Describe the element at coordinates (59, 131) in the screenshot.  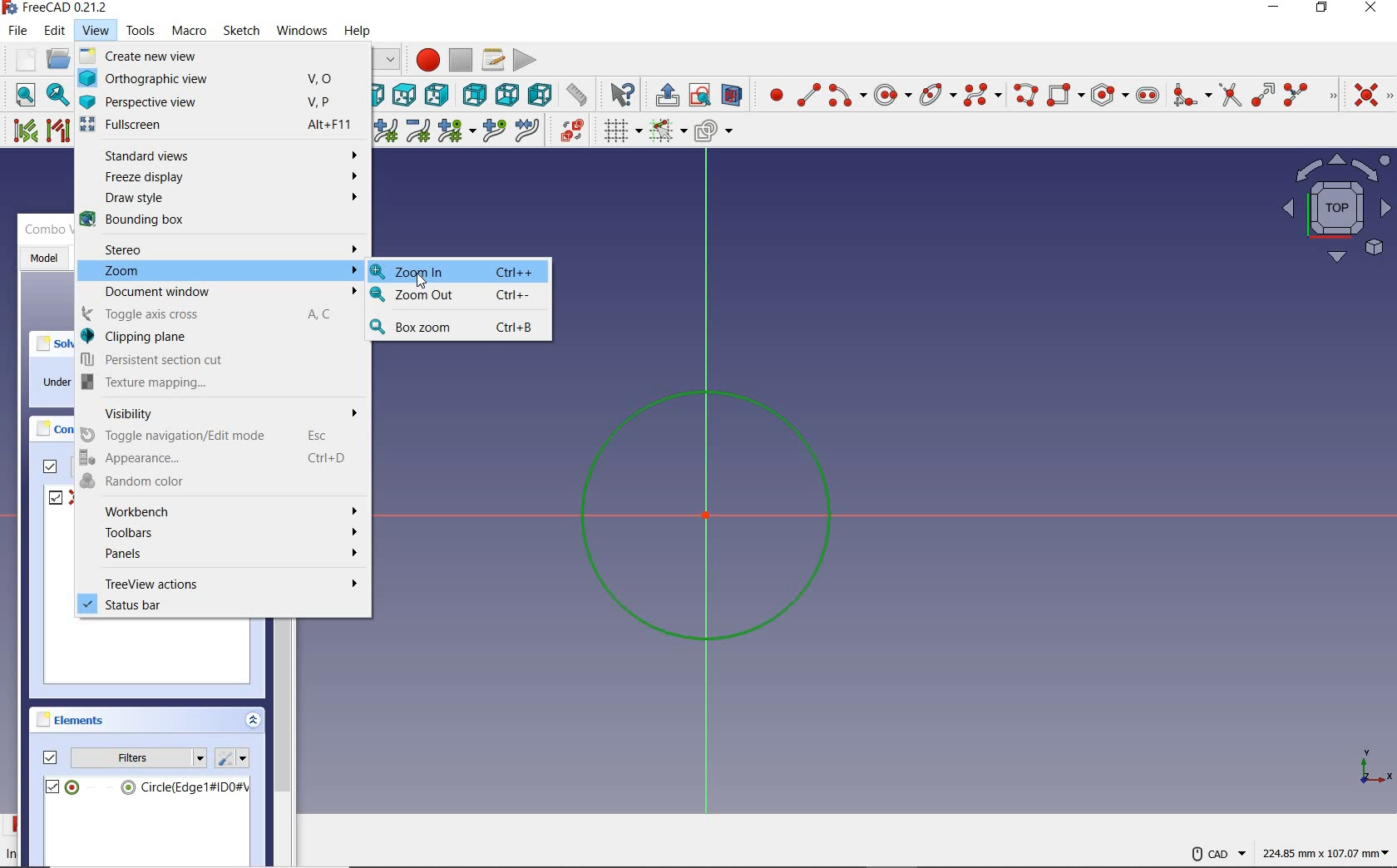
I see `select associated geometry` at that location.